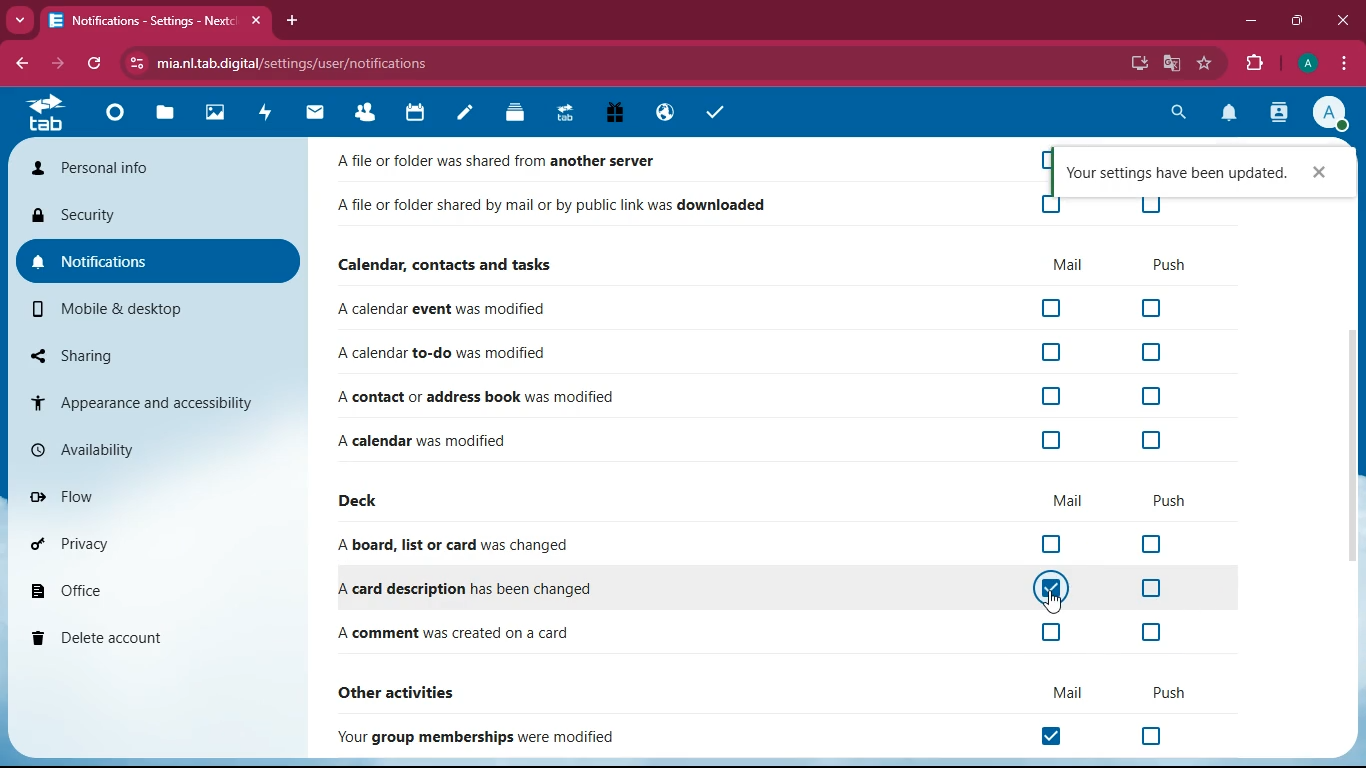 This screenshot has width=1366, height=768. What do you see at coordinates (1330, 112) in the screenshot?
I see `Account` at bounding box center [1330, 112].